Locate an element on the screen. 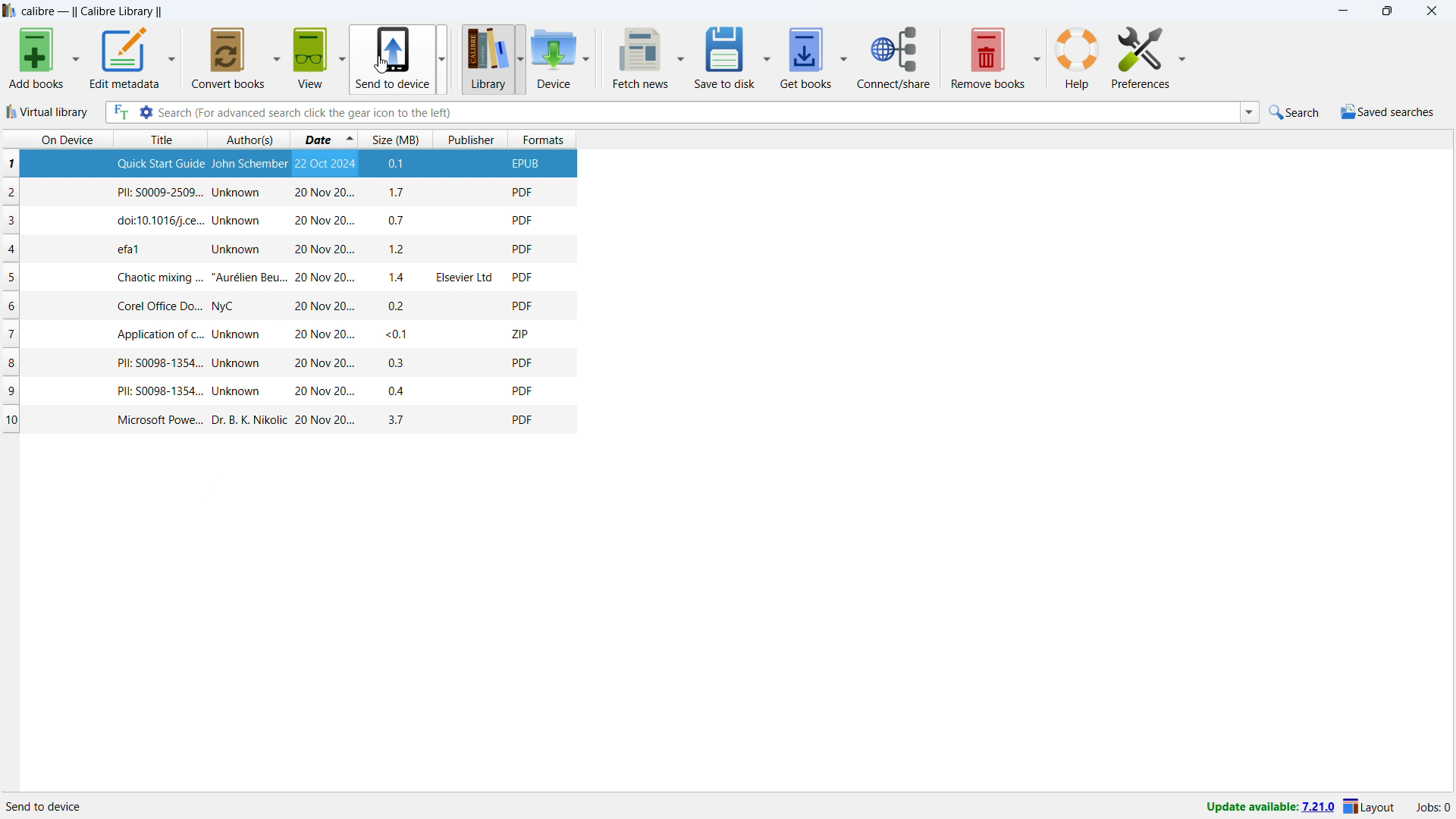 The image size is (1456, 819). one book entry is located at coordinates (291, 419).